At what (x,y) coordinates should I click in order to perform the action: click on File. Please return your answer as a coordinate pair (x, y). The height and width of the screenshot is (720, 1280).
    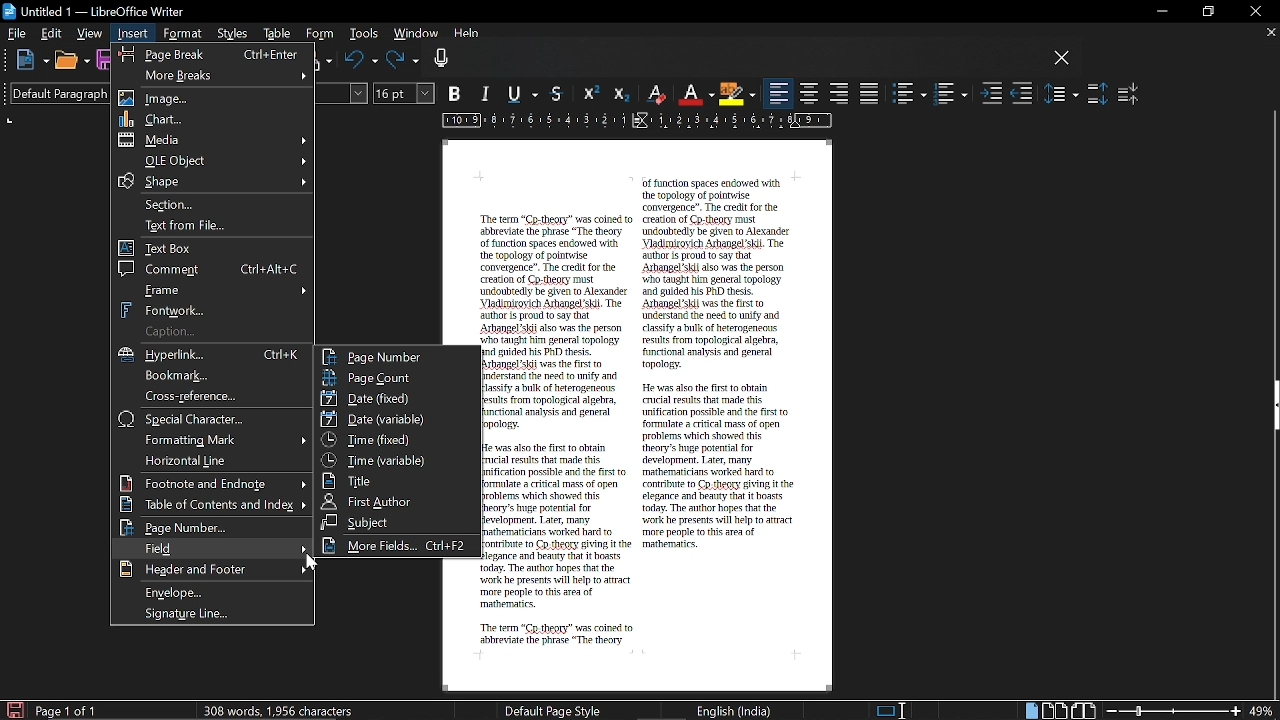
    Looking at the image, I should click on (17, 32).